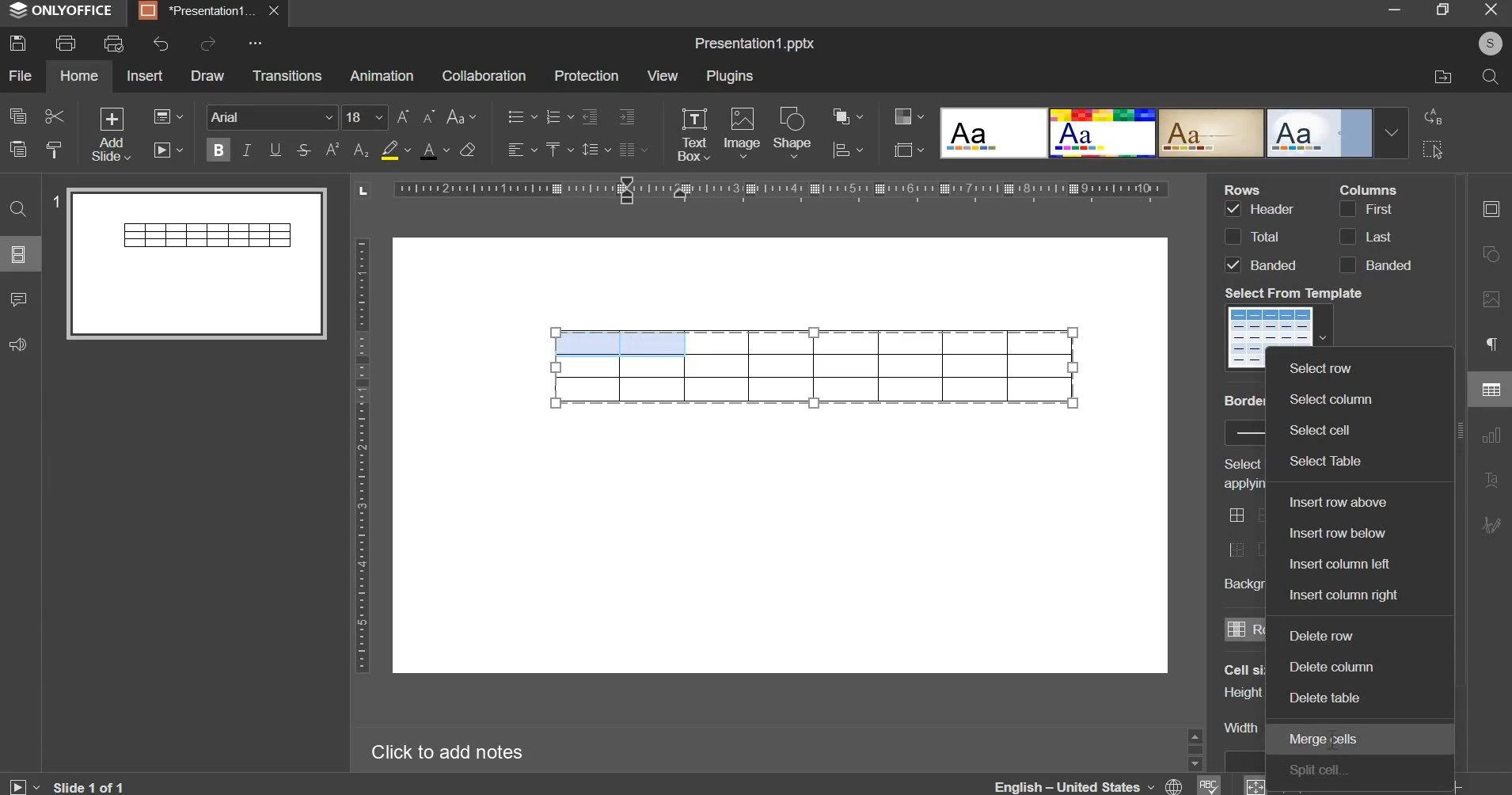  What do you see at coordinates (1244, 531) in the screenshot?
I see `border style` at bounding box center [1244, 531].